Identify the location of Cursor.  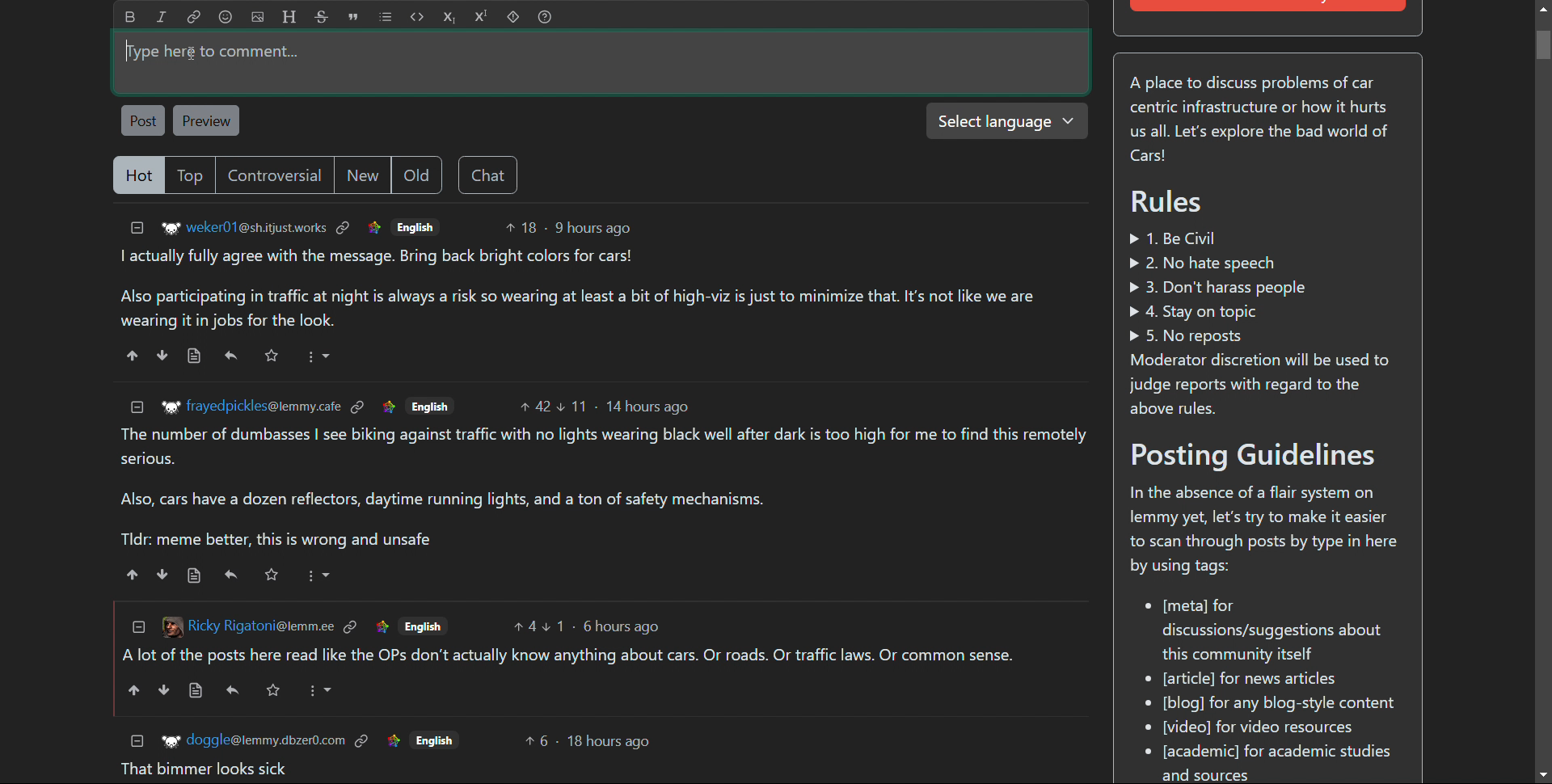
(130, 50).